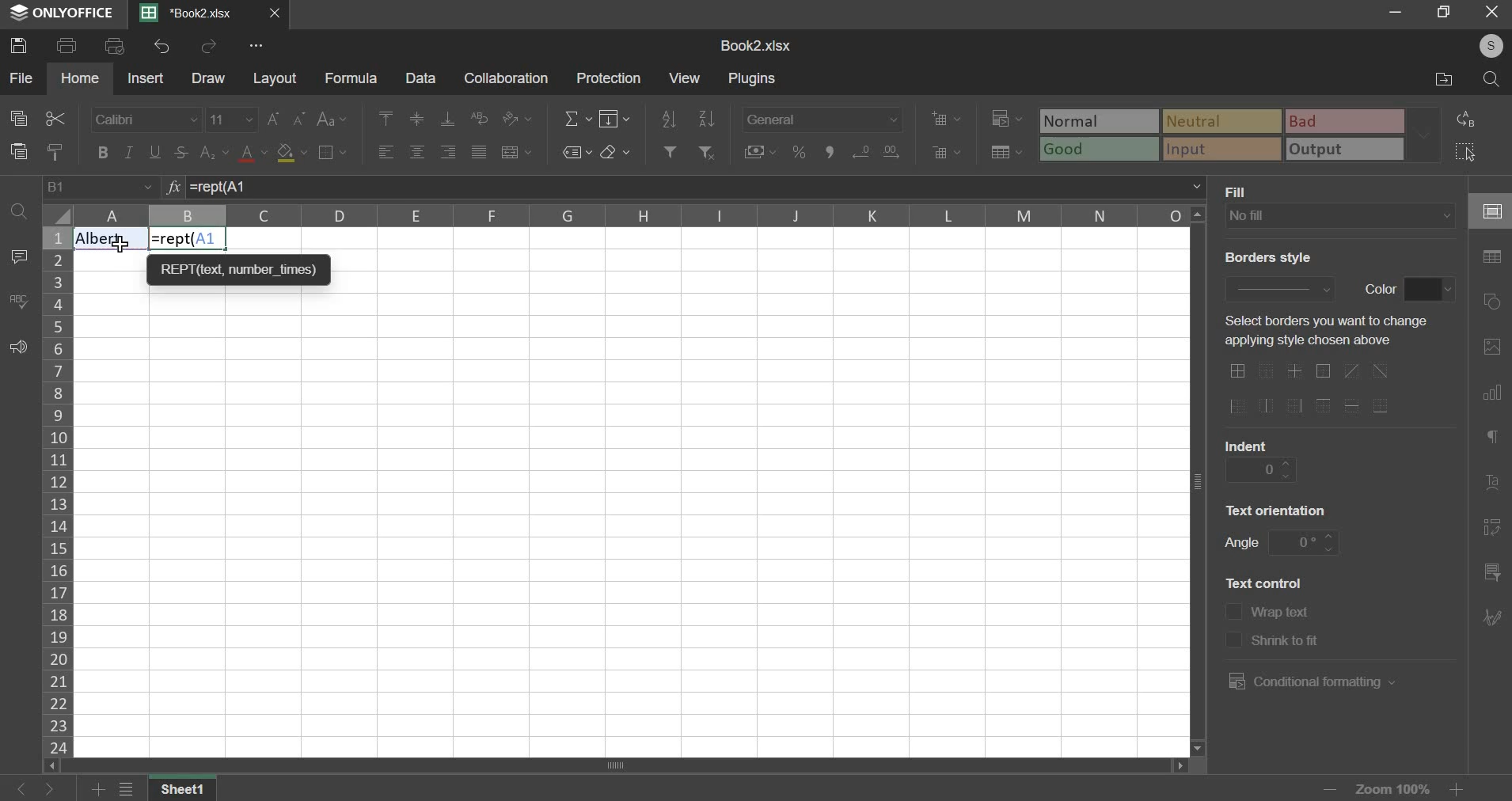  What do you see at coordinates (578, 120) in the screenshot?
I see `sum` at bounding box center [578, 120].